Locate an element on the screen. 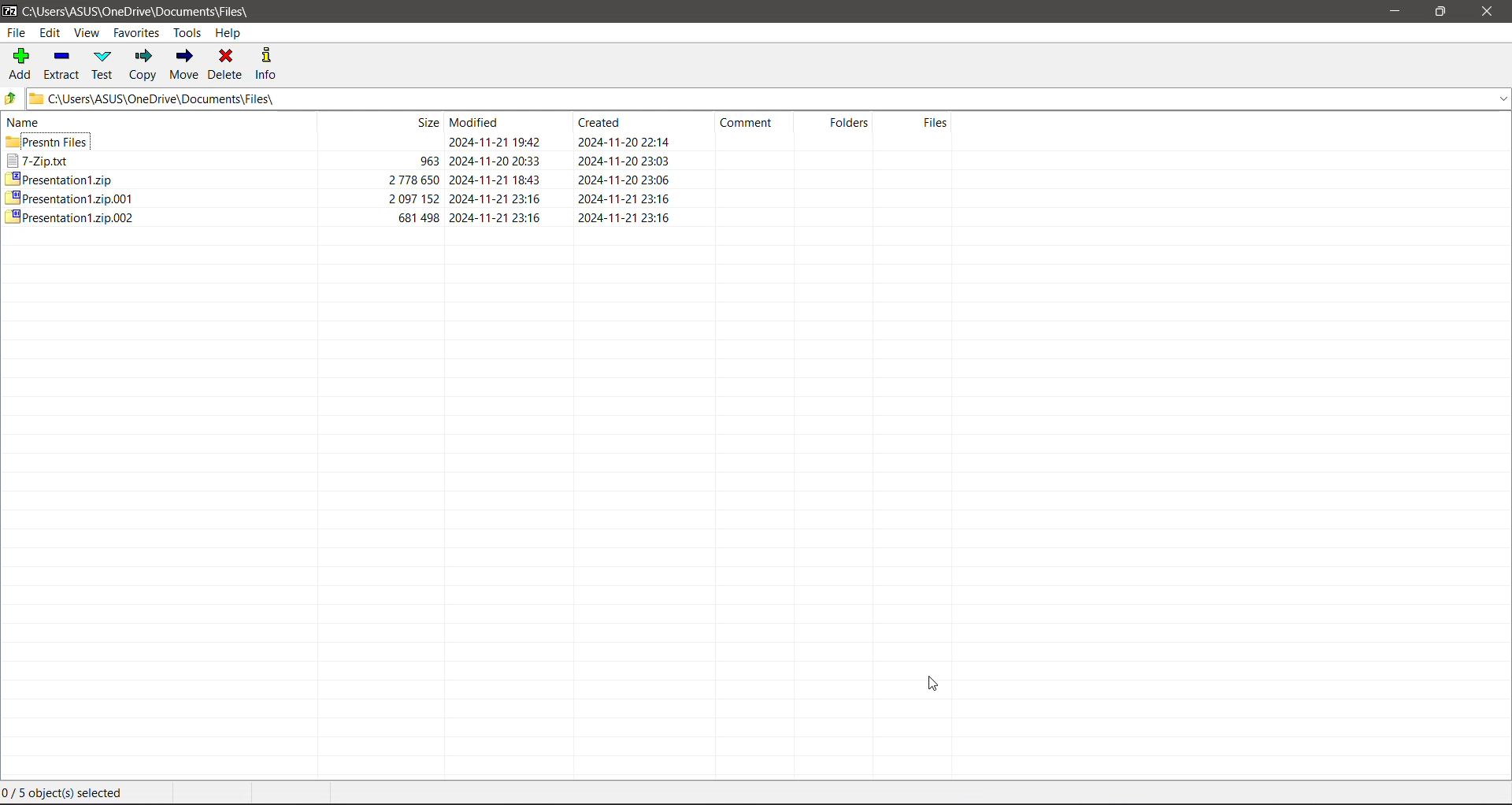 Image resolution: width=1512 pixels, height=805 pixels. name is located at coordinates (28, 125).